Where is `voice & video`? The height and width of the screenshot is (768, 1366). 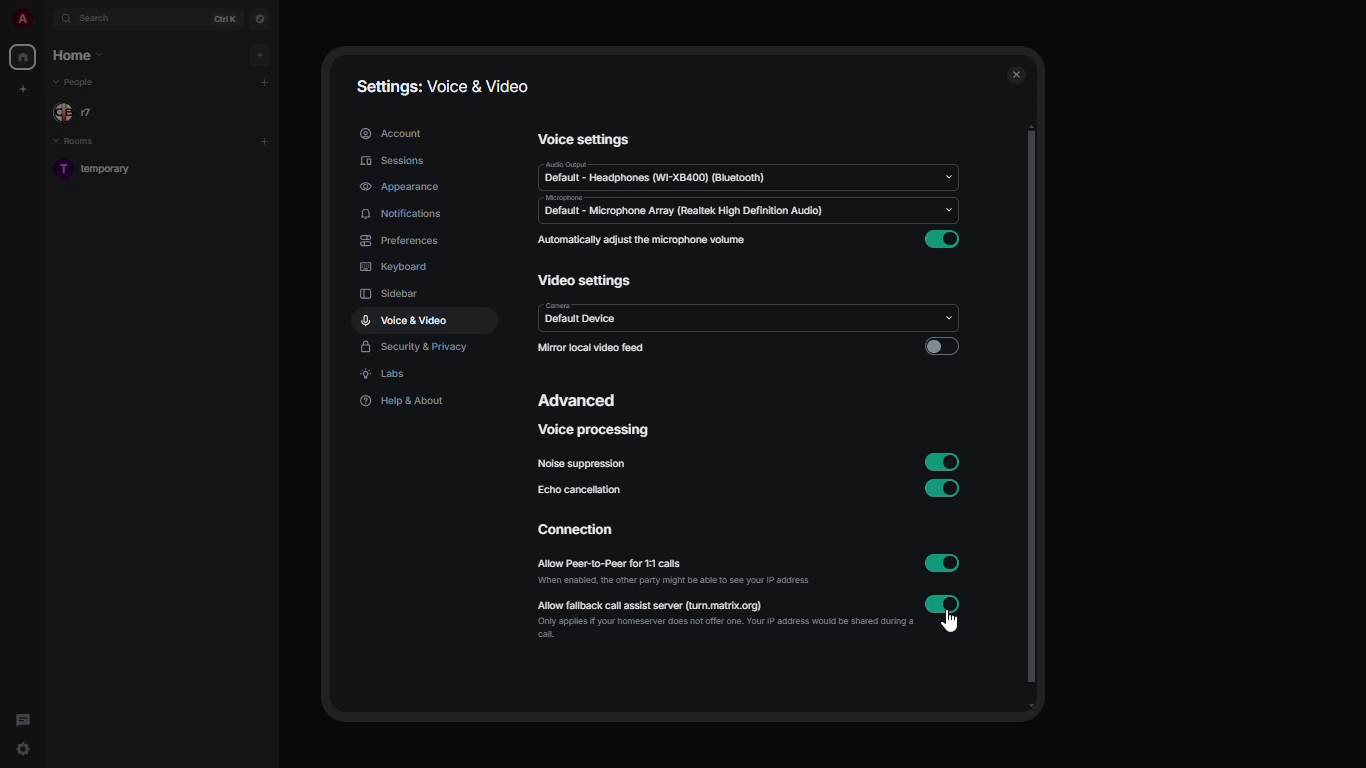 voice & video is located at coordinates (408, 319).